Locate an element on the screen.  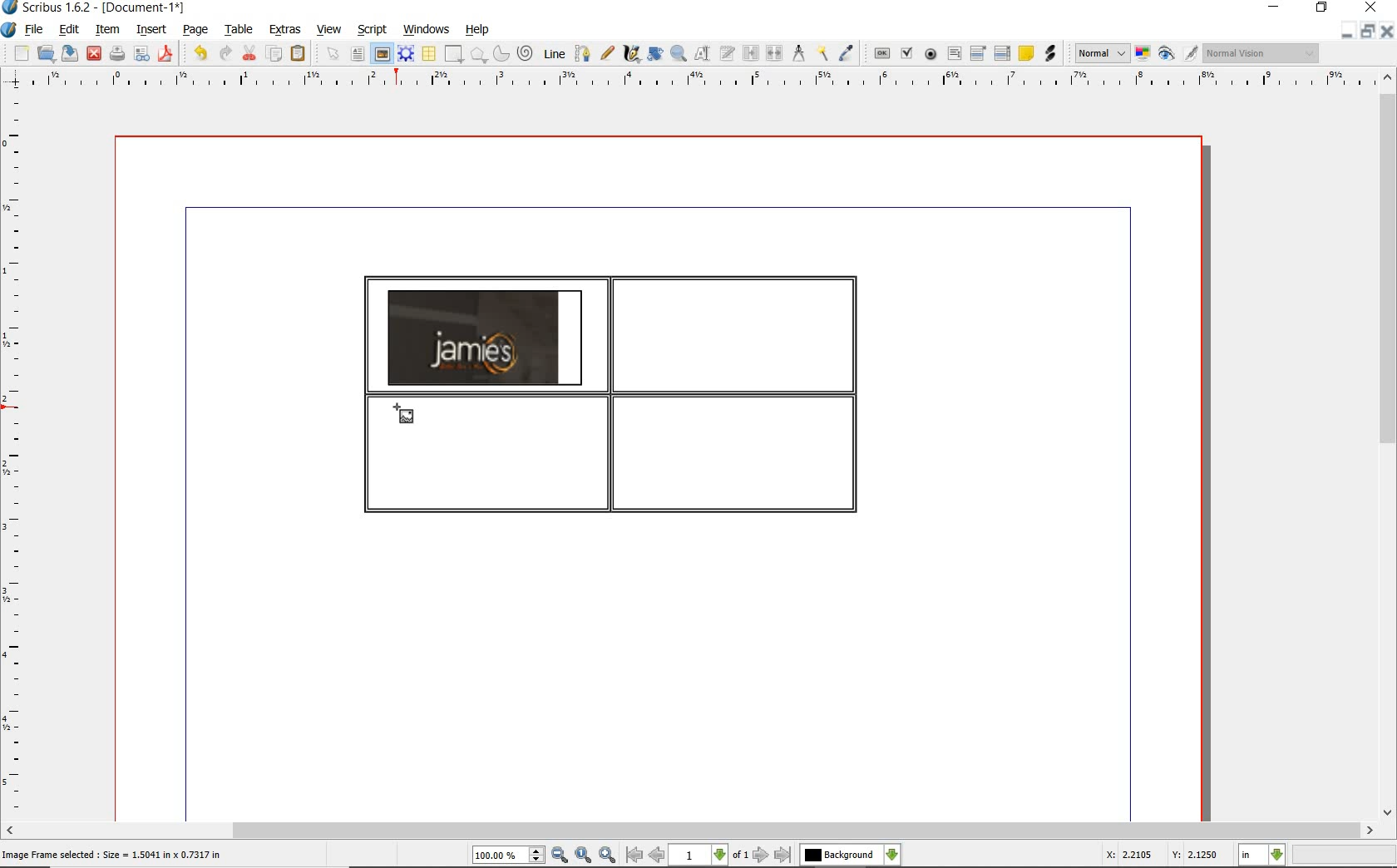
close is located at coordinates (93, 52).